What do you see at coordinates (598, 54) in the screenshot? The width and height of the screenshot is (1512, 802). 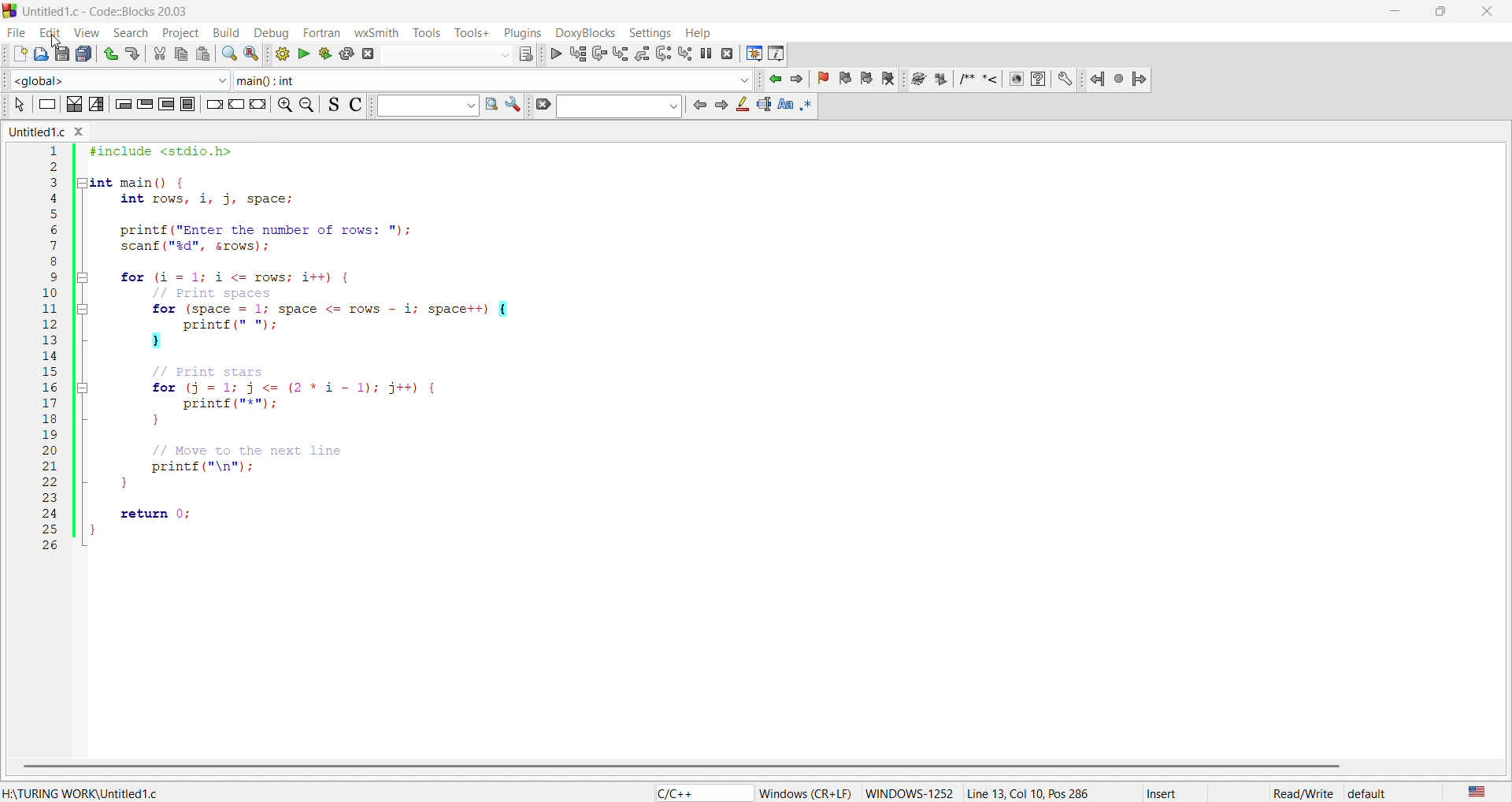 I see `next line` at bounding box center [598, 54].